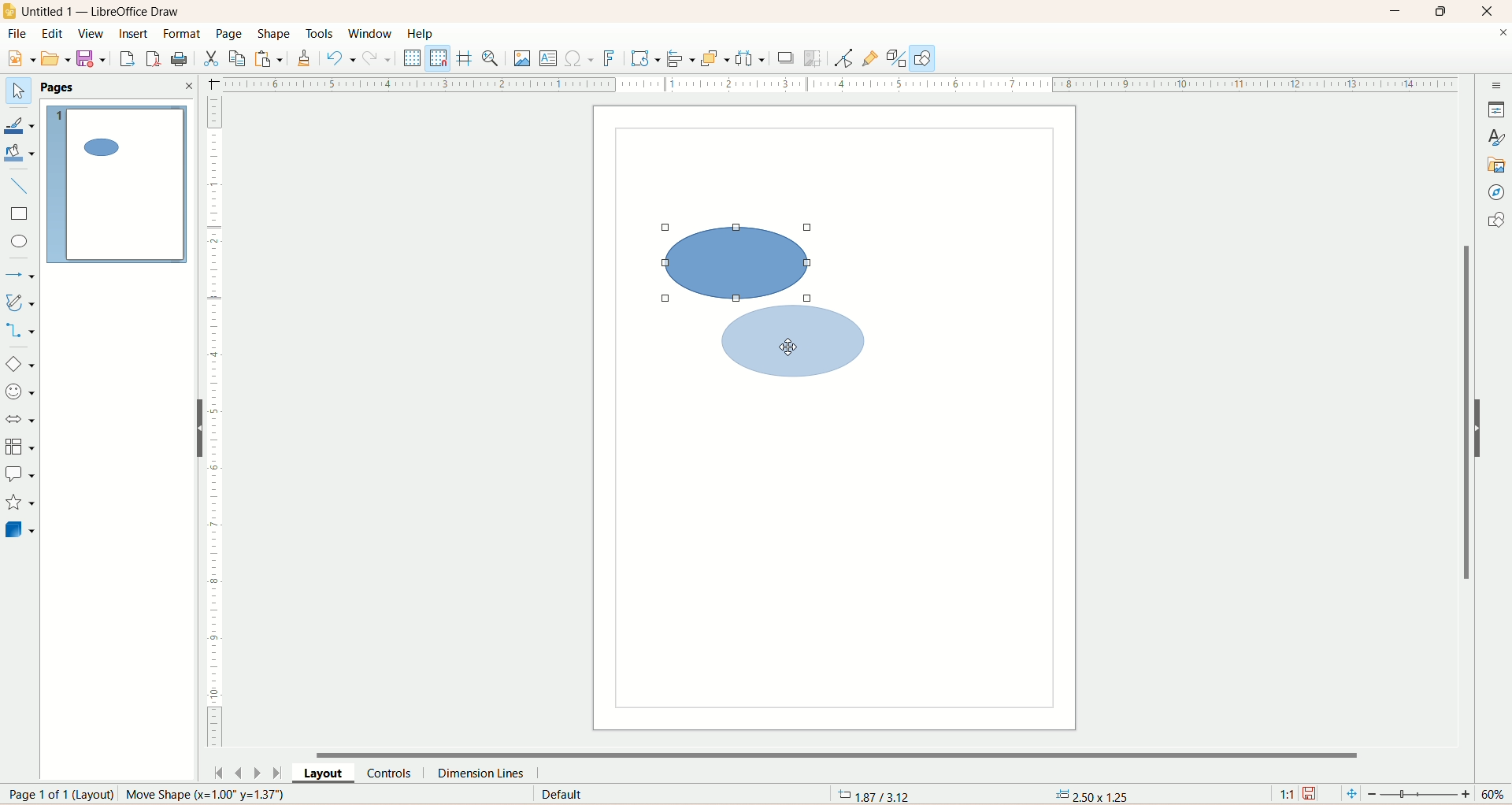 This screenshot has width=1512, height=805. What do you see at coordinates (1497, 87) in the screenshot?
I see `sidebar settings` at bounding box center [1497, 87].